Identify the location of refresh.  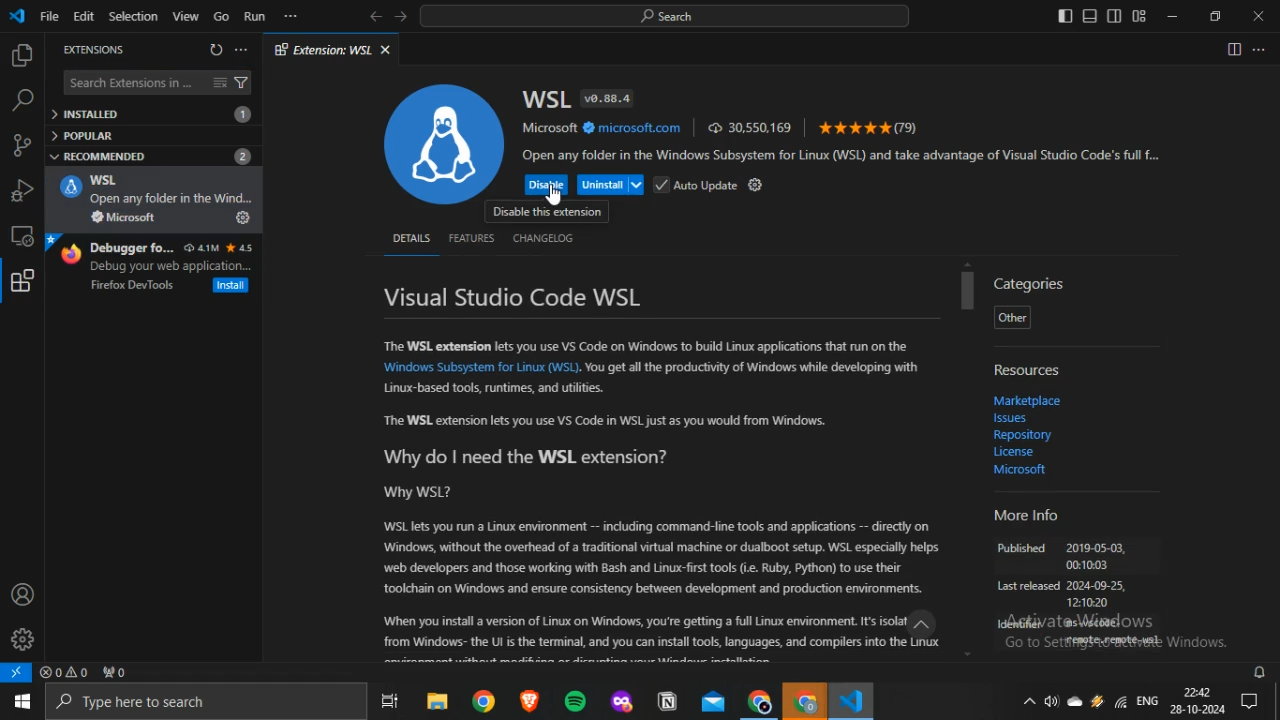
(216, 49).